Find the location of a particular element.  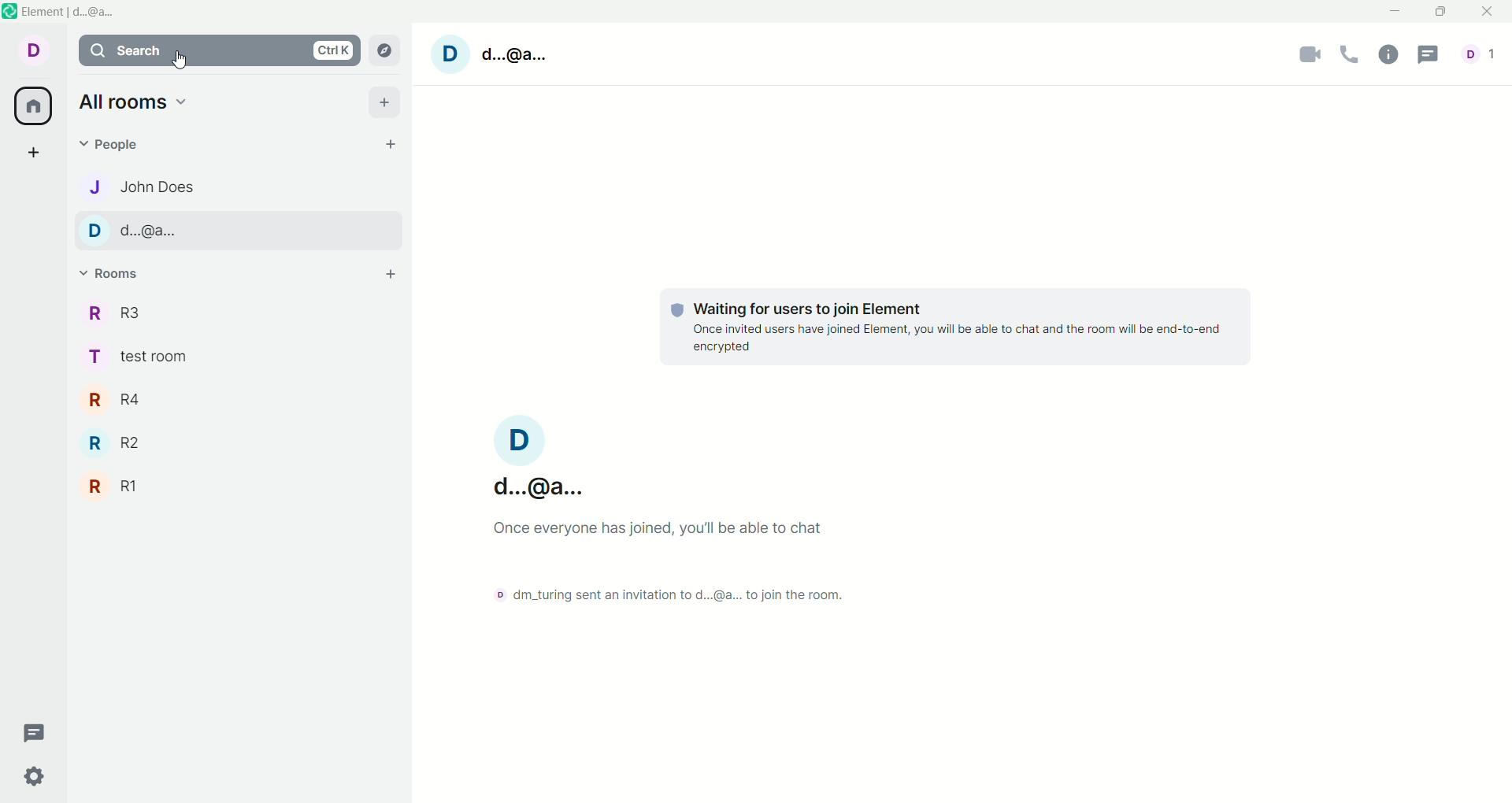

people is located at coordinates (115, 145).